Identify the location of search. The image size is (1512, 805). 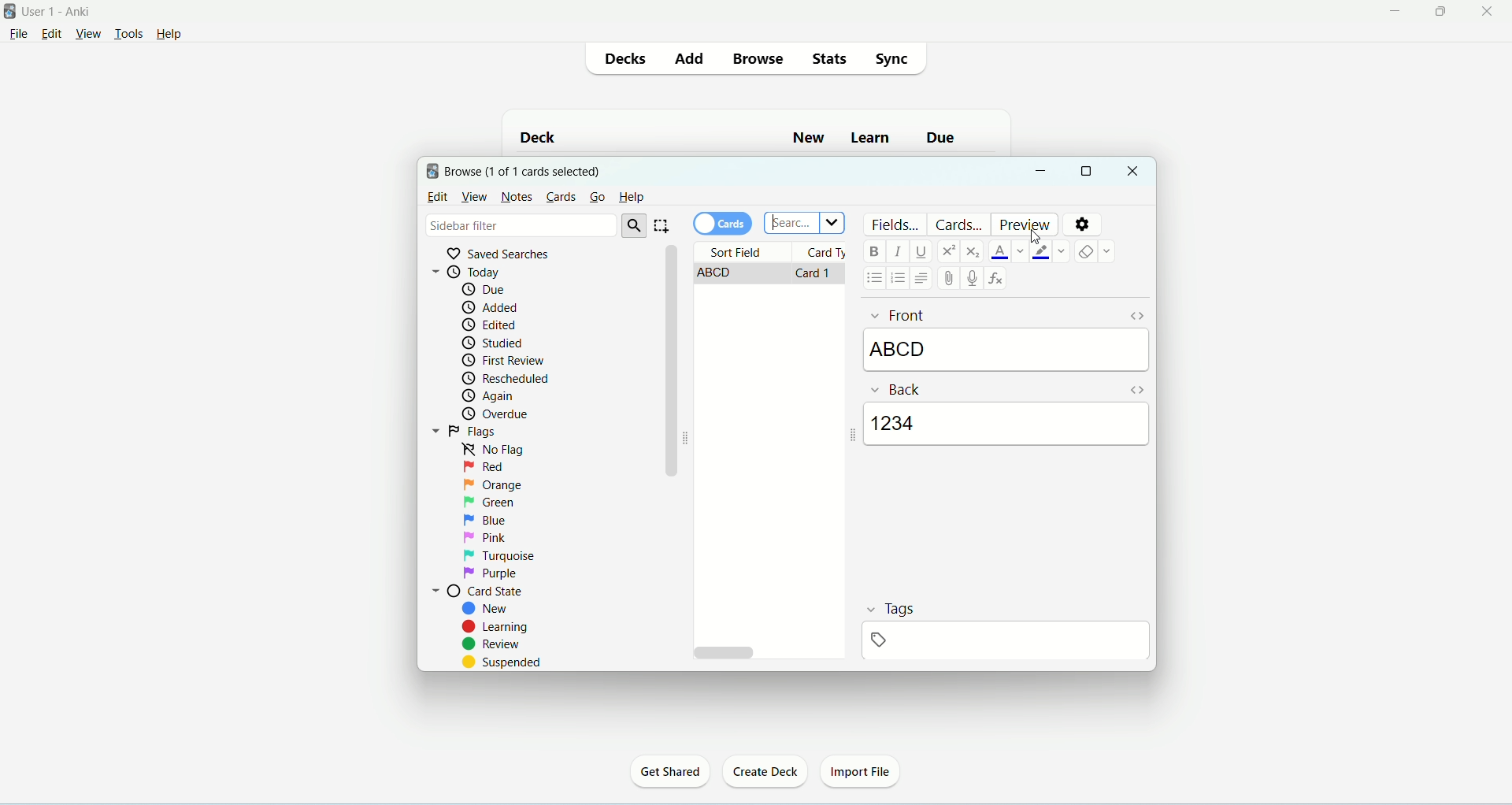
(803, 224).